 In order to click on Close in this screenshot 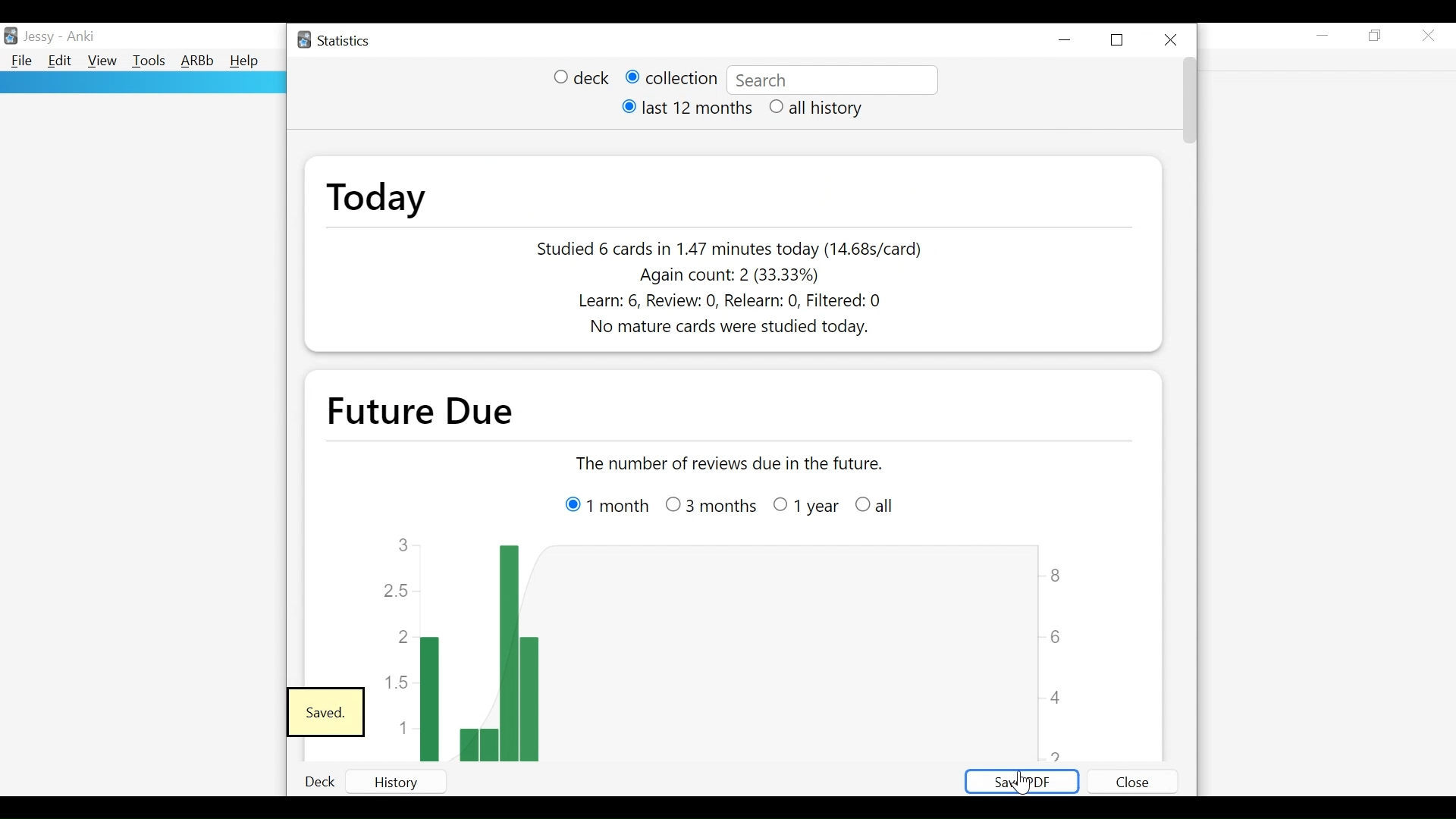, I will do `click(1172, 37)`.